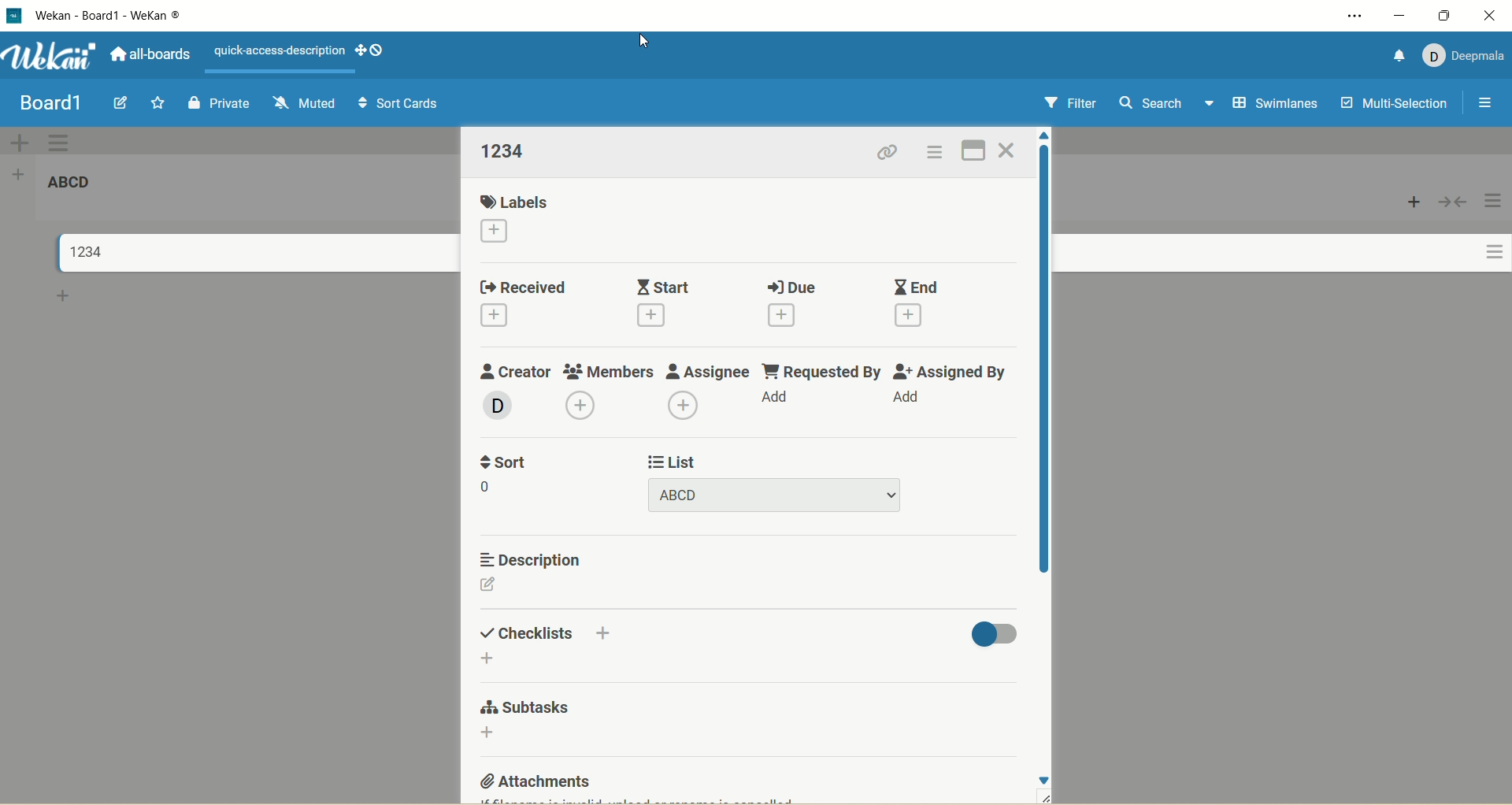 The image size is (1512, 805). What do you see at coordinates (995, 633) in the screenshot?
I see `toggle key` at bounding box center [995, 633].